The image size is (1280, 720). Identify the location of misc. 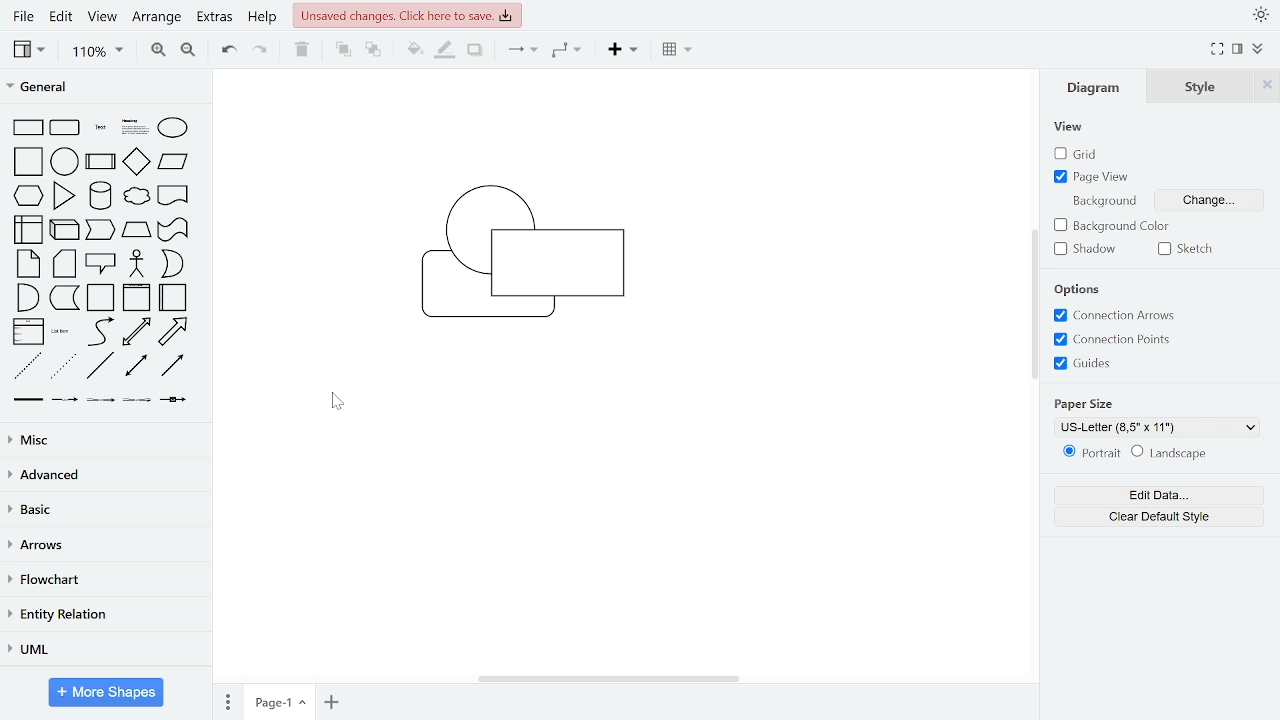
(107, 438).